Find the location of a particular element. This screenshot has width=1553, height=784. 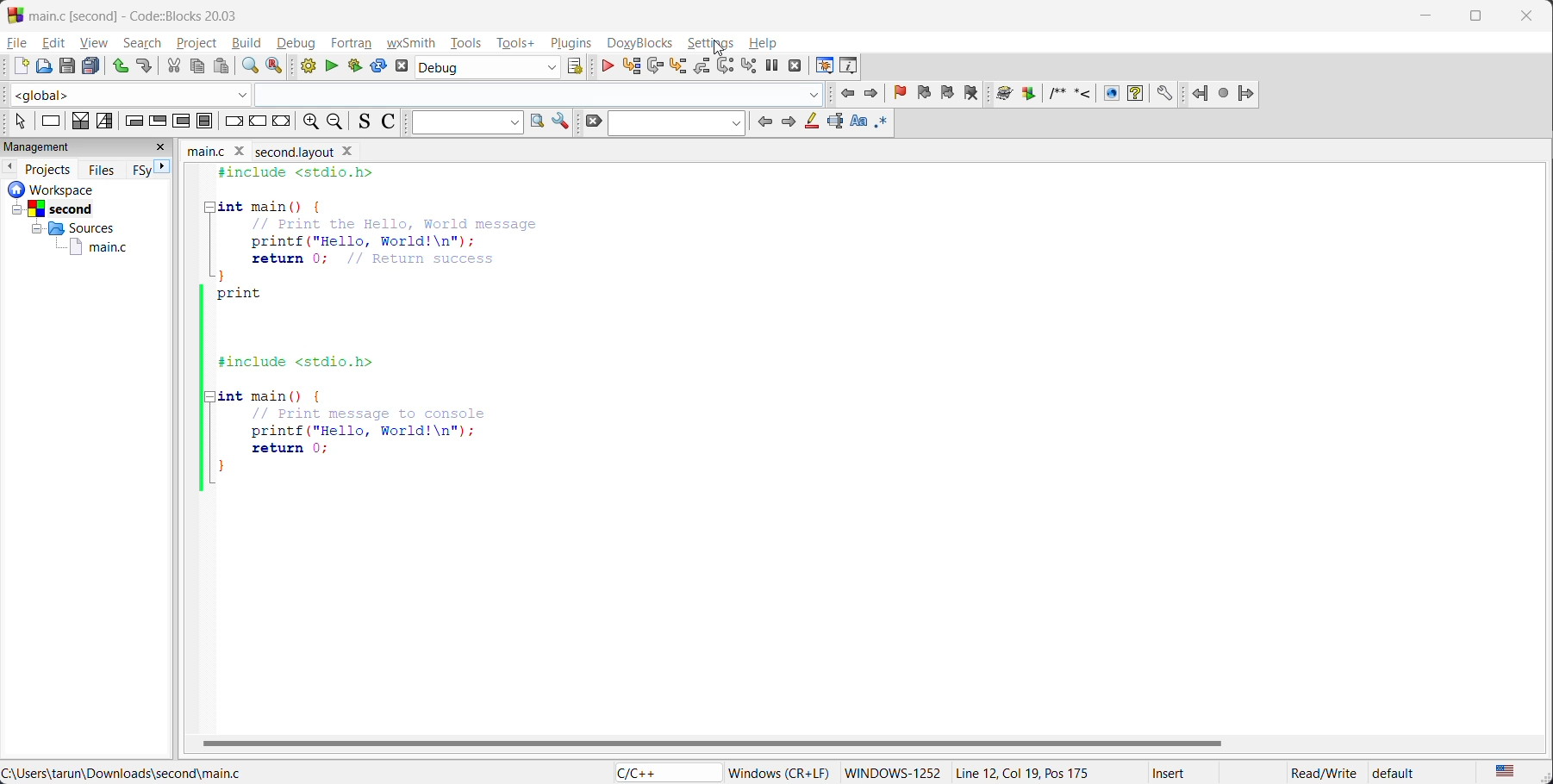

continue instruction is located at coordinates (260, 122).